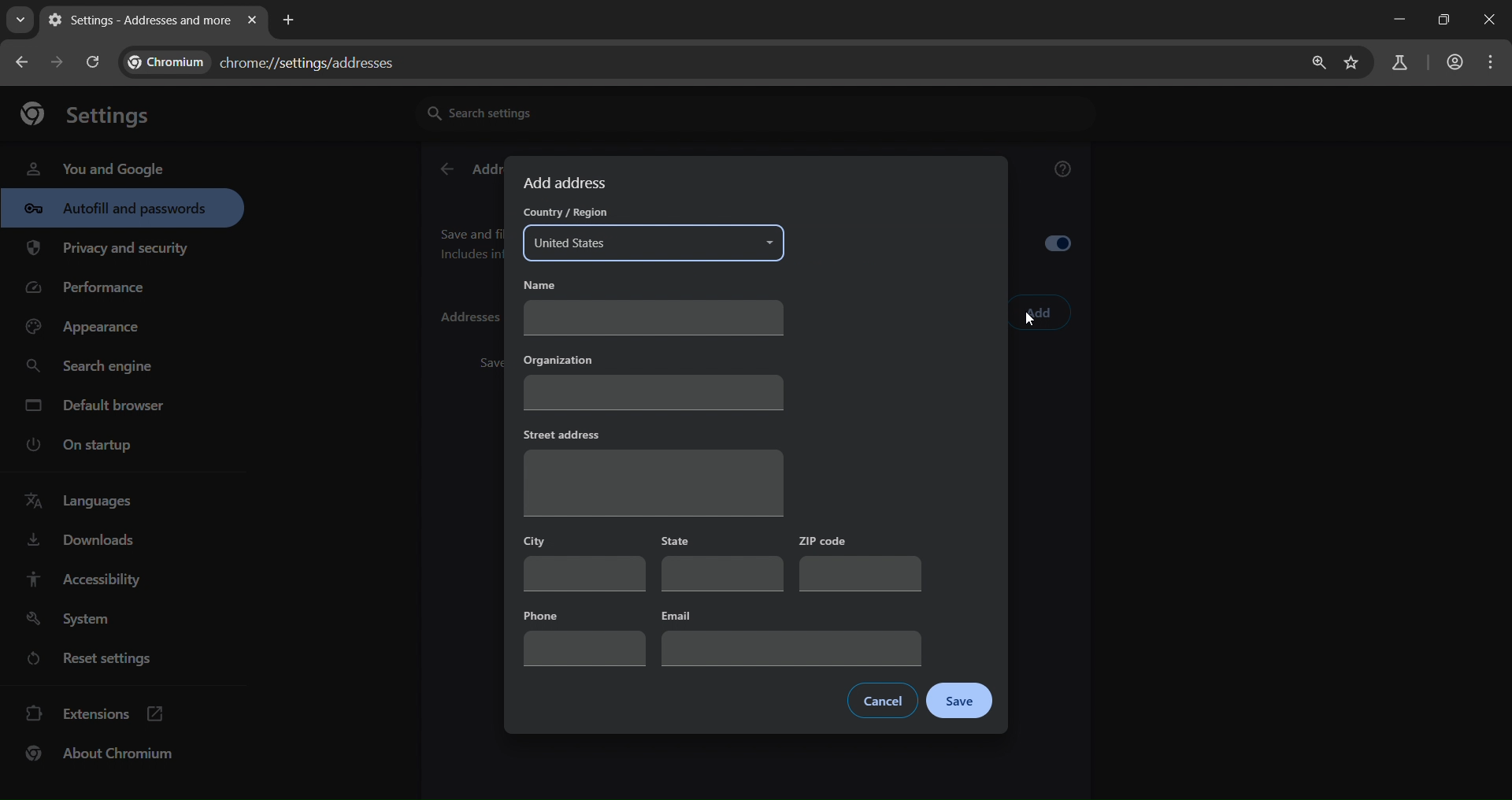  What do you see at coordinates (95, 712) in the screenshot?
I see `extensions` at bounding box center [95, 712].